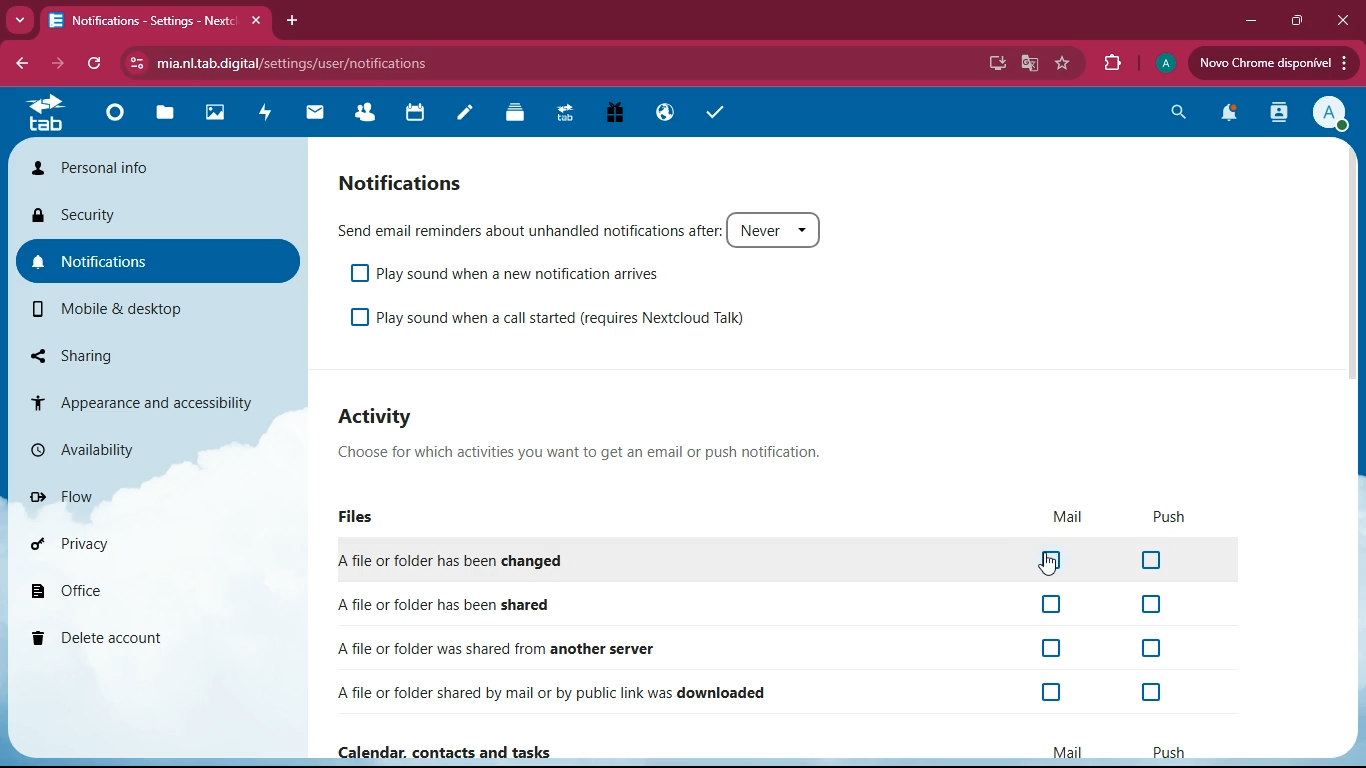 This screenshot has height=768, width=1366. Describe the element at coordinates (318, 118) in the screenshot. I see `mail` at that location.